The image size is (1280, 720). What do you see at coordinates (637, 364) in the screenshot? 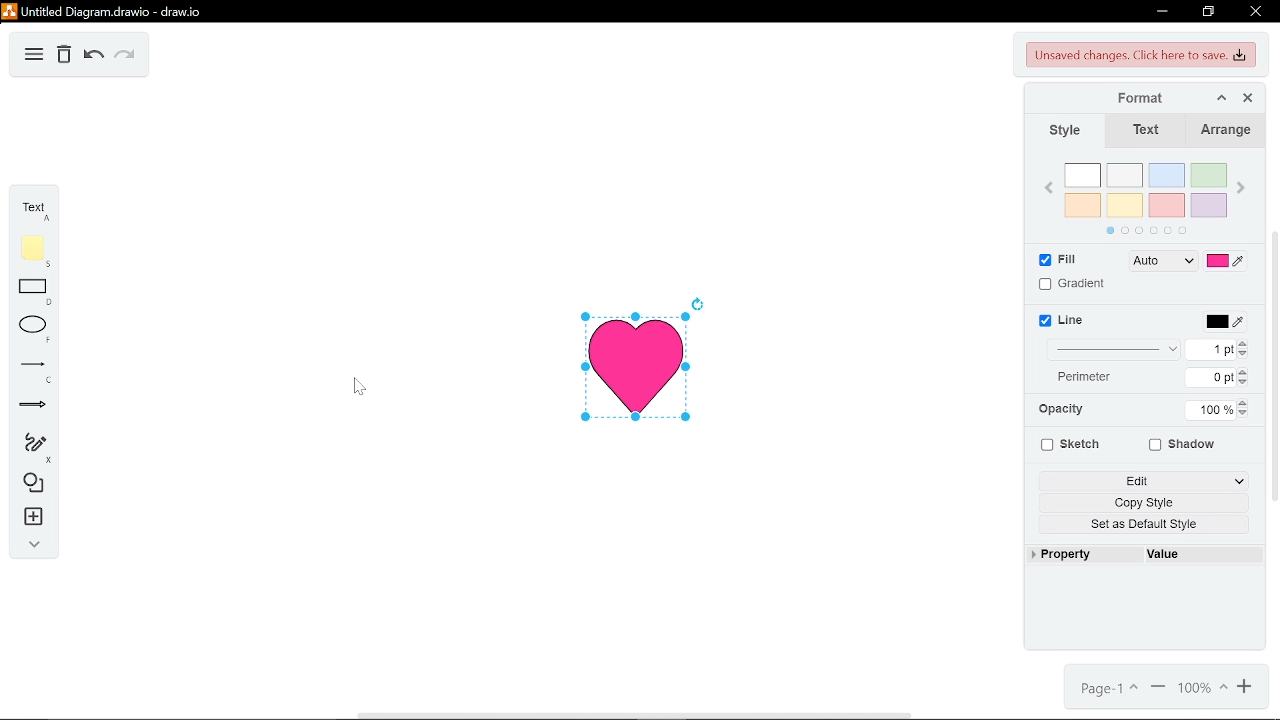
I see `pink heart added` at bounding box center [637, 364].